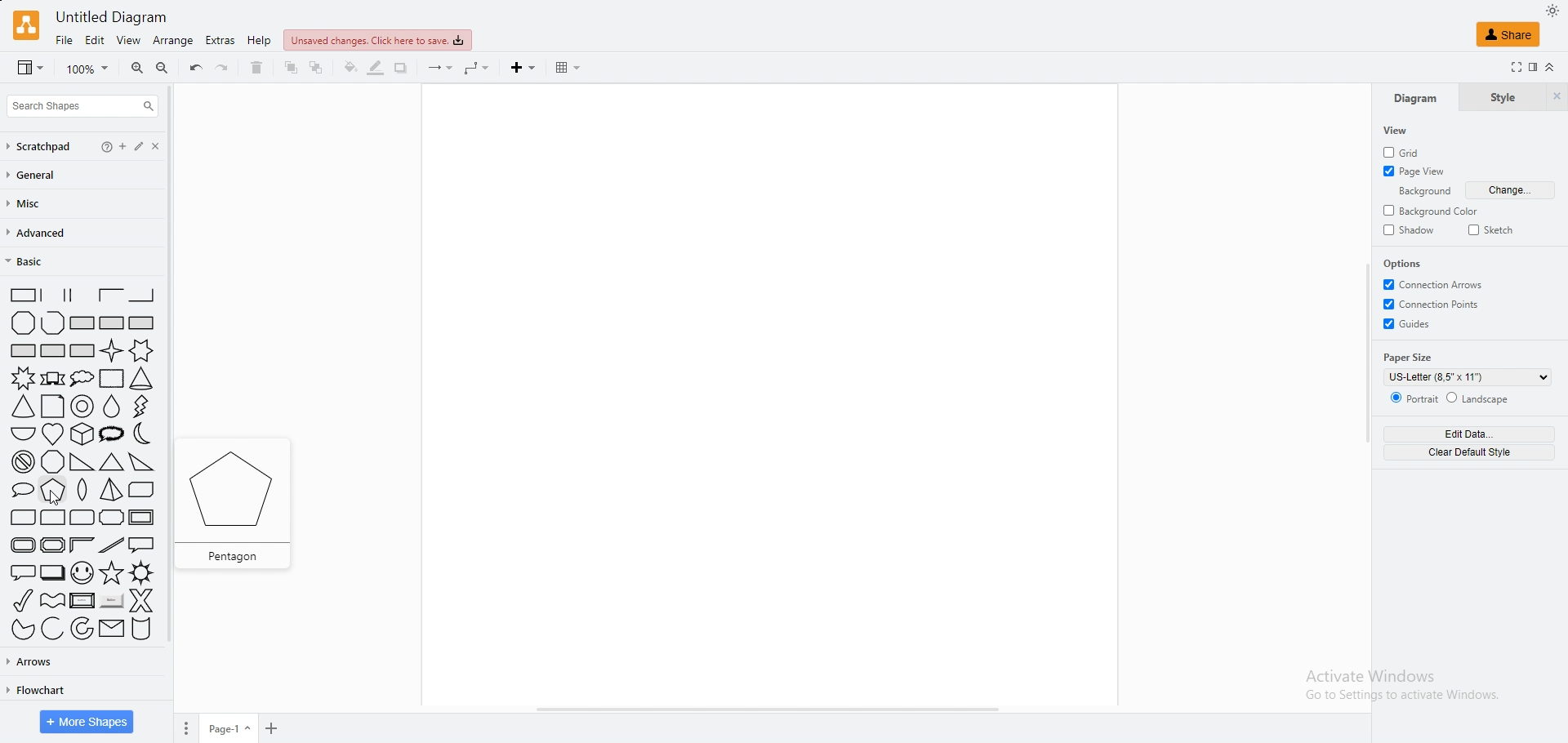 This screenshot has width=1568, height=743. Describe the element at coordinates (112, 518) in the screenshot. I see `plaque` at that location.